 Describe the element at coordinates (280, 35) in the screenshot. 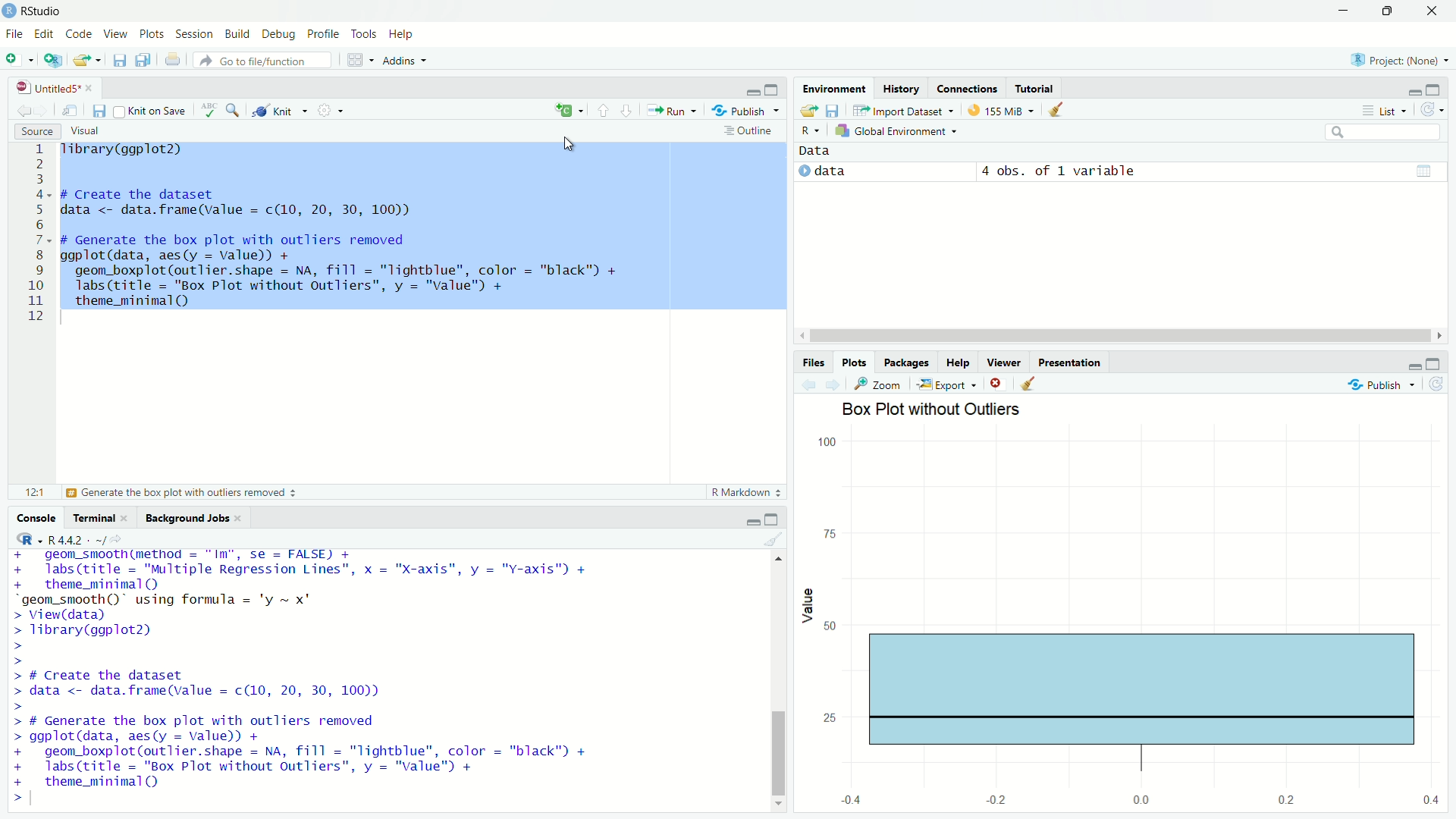

I see `I Debug` at that location.